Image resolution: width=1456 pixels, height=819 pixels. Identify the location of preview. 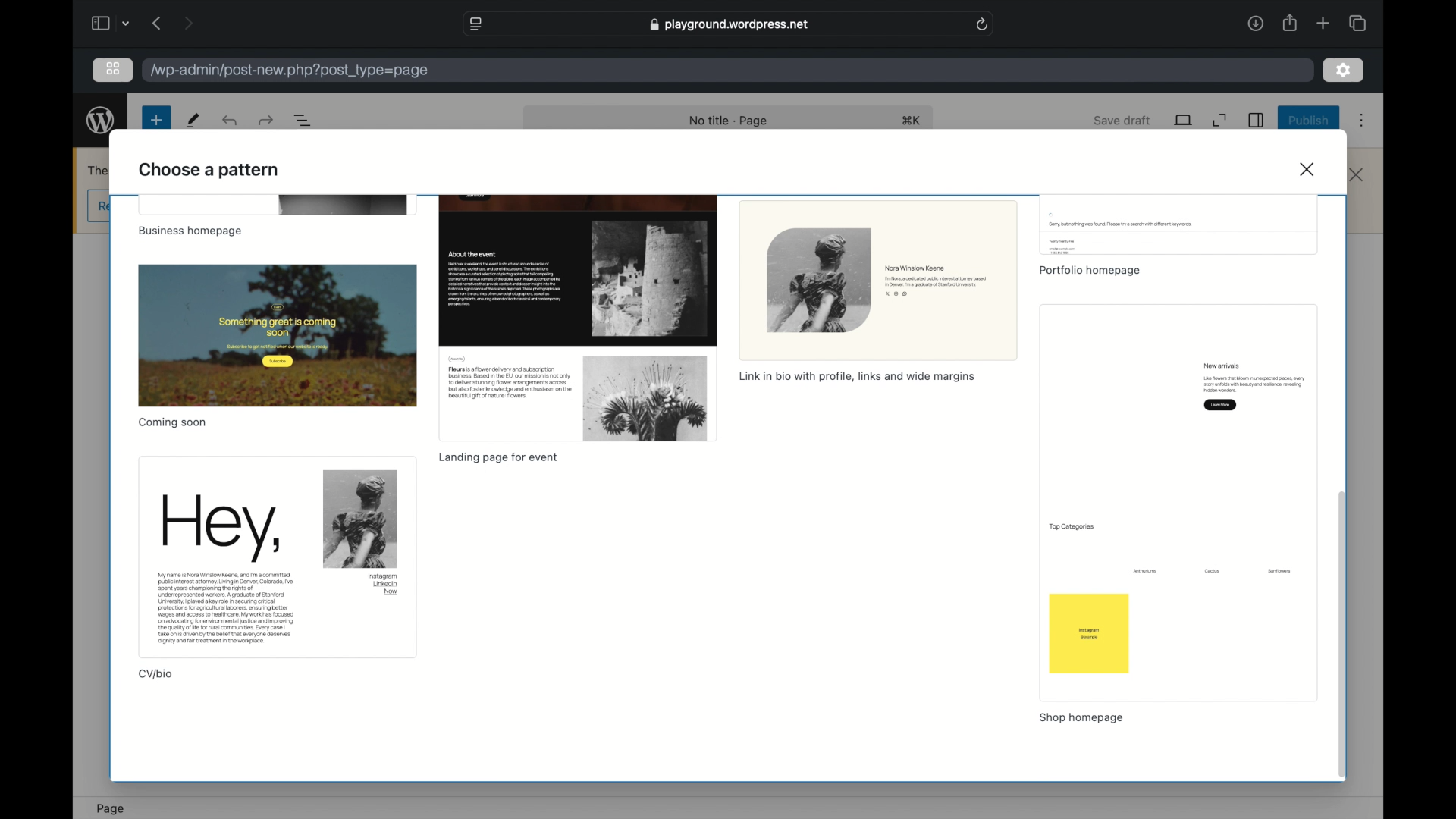
(1181, 224).